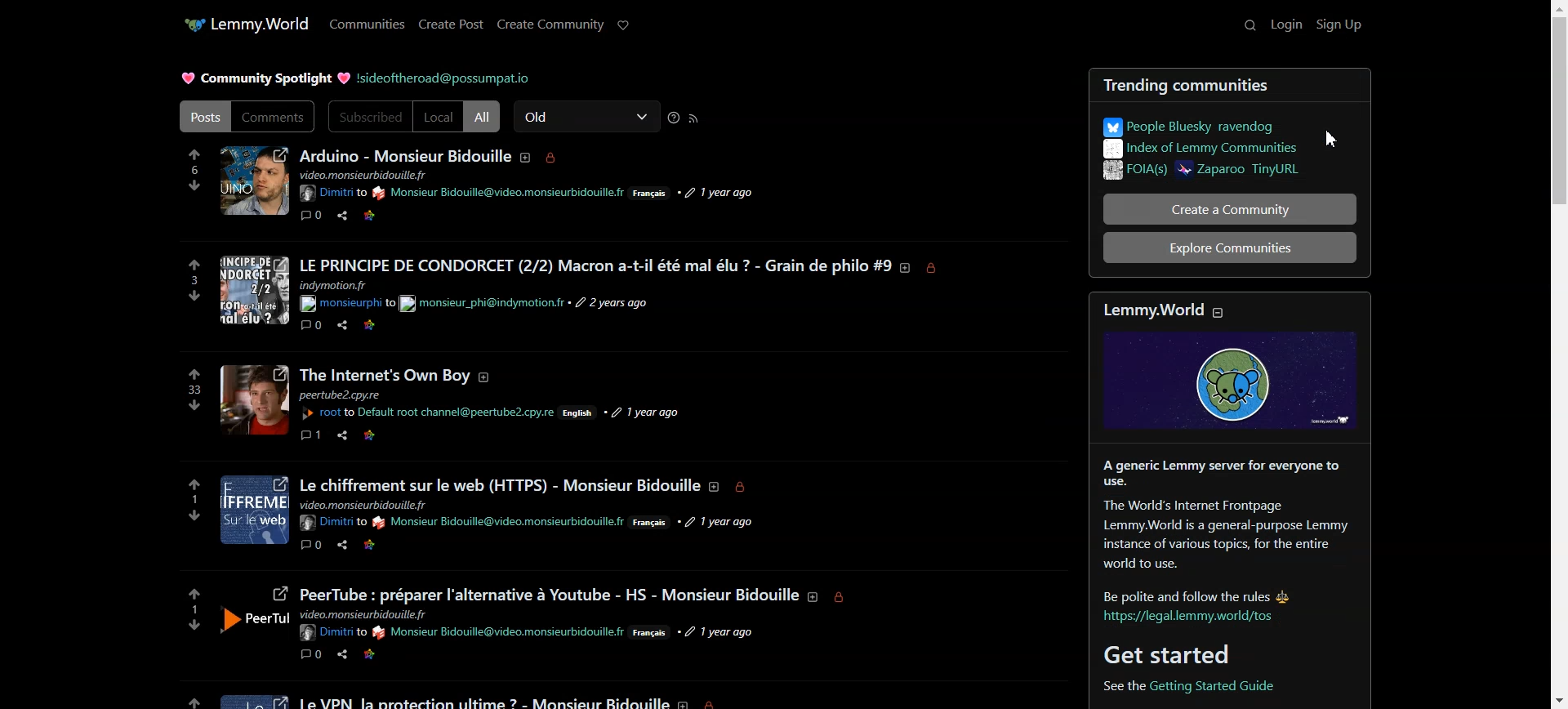  Describe the element at coordinates (1235, 84) in the screenshot. I see `Trending communities` at that location.